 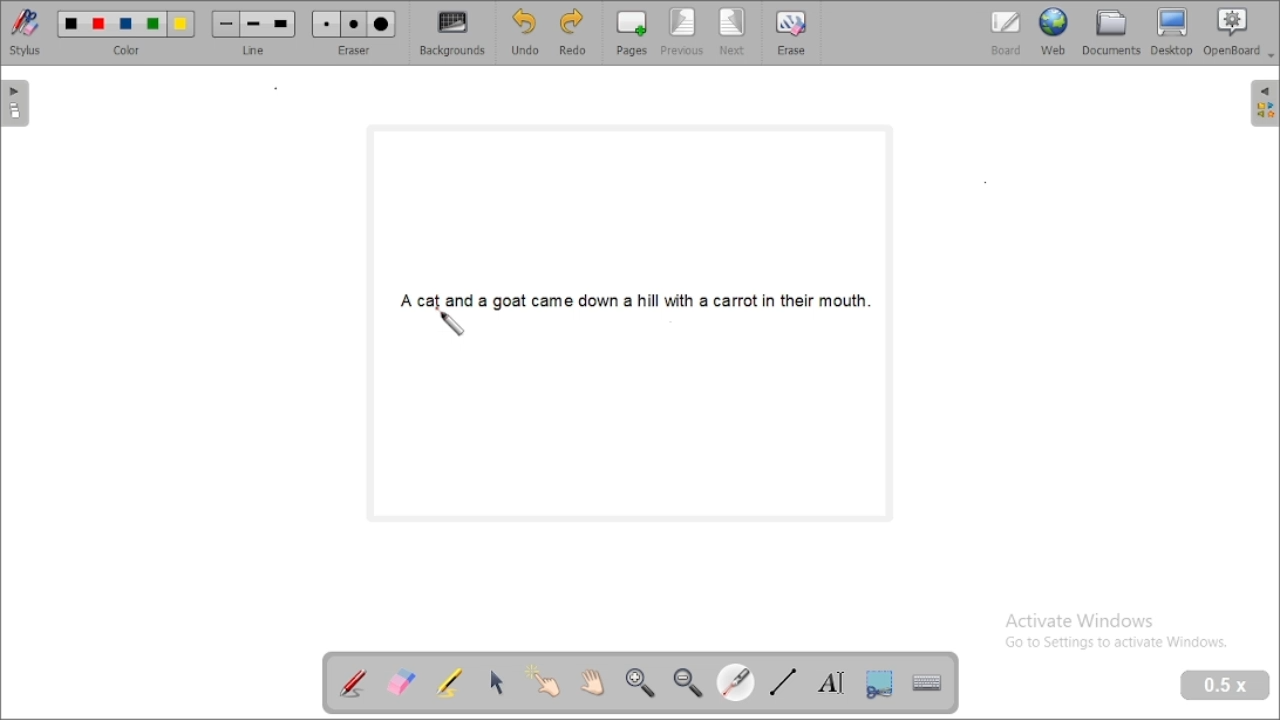 I want to click on previous, so click(x=682, y=33).